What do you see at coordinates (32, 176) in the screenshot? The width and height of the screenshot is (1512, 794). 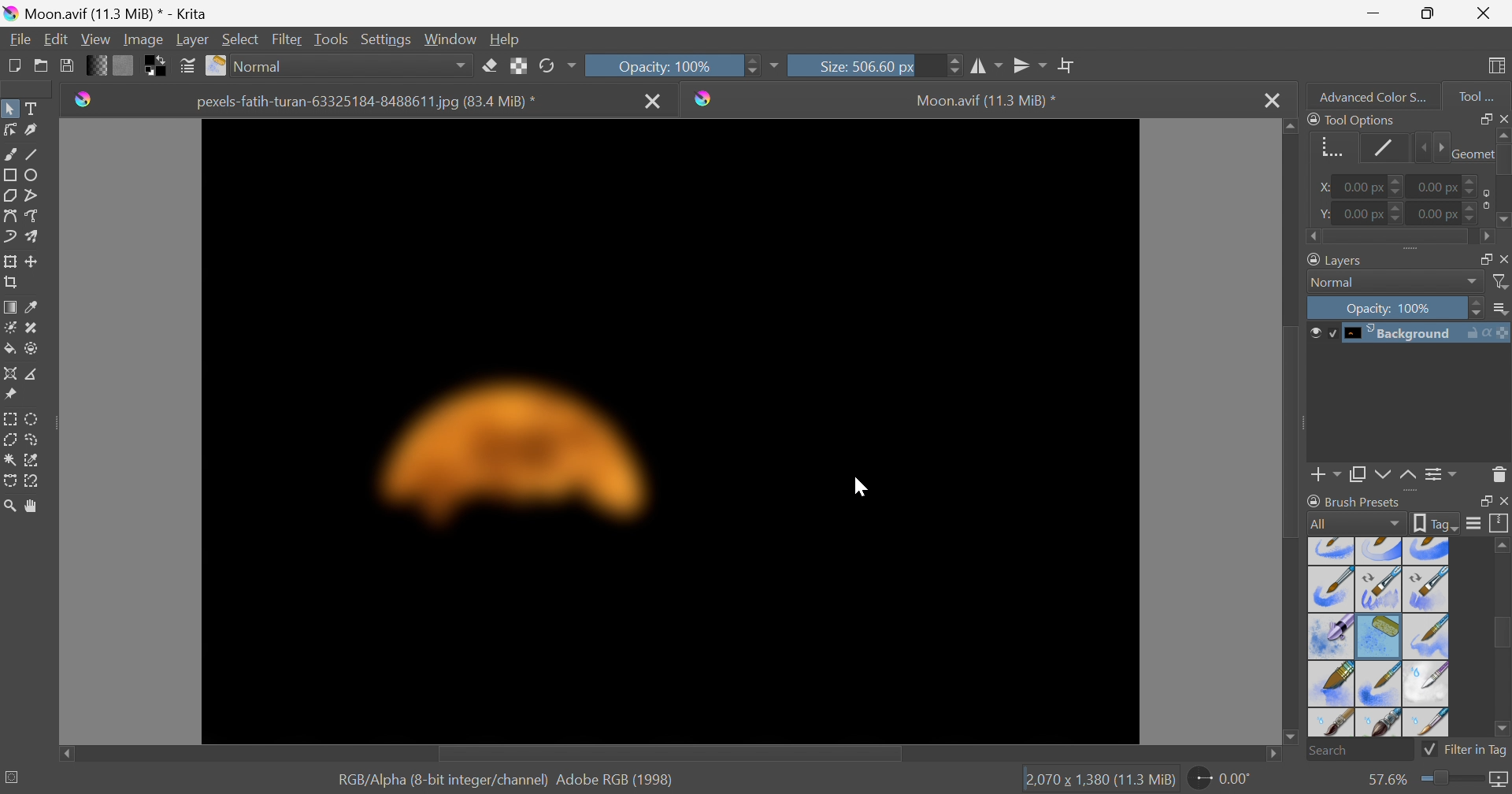 I see `Ellipse tool` at bounding box center [32, 176].